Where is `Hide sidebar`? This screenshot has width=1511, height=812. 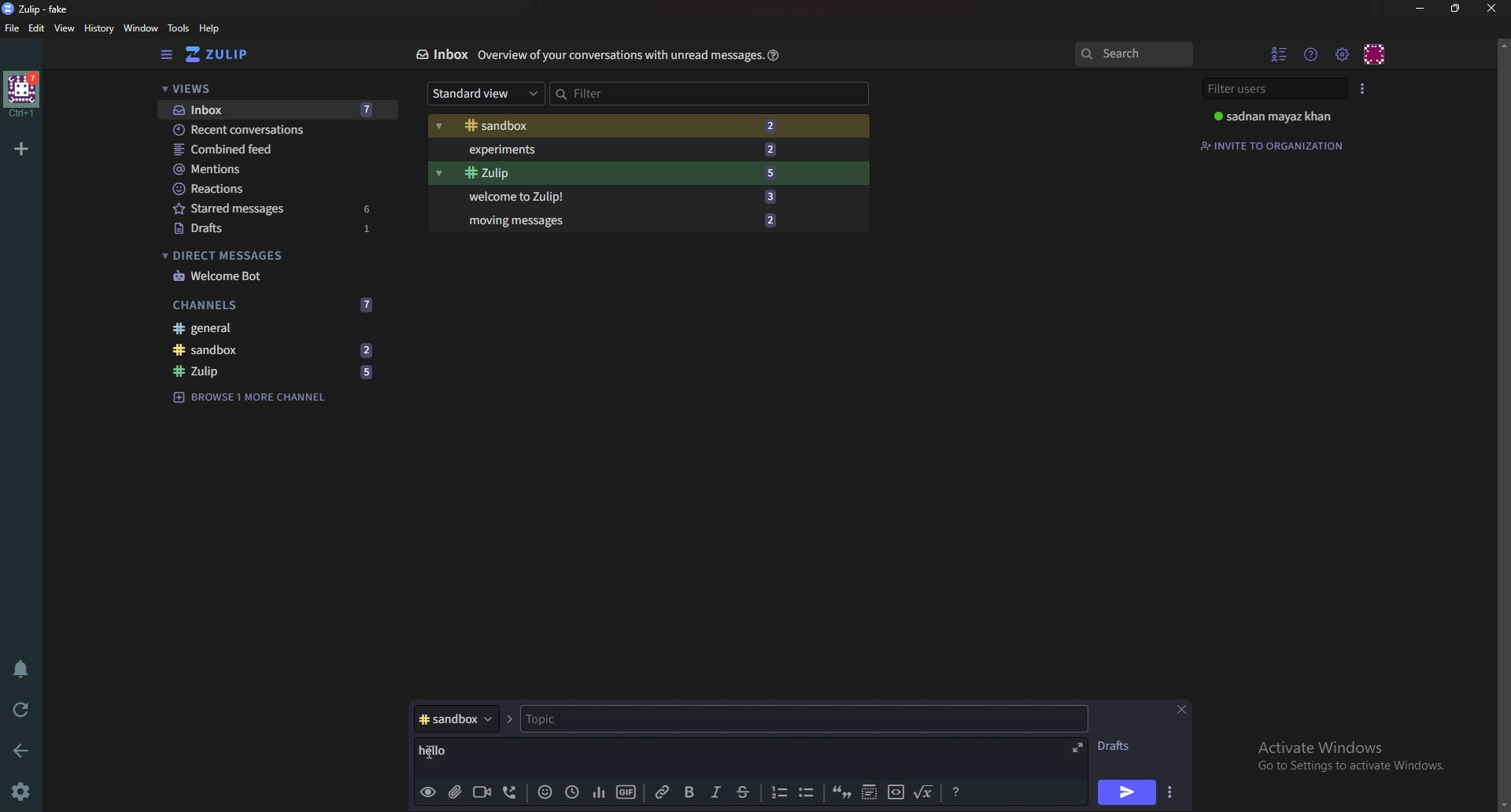
Hide sidebar is located at coordinates (169, 54).